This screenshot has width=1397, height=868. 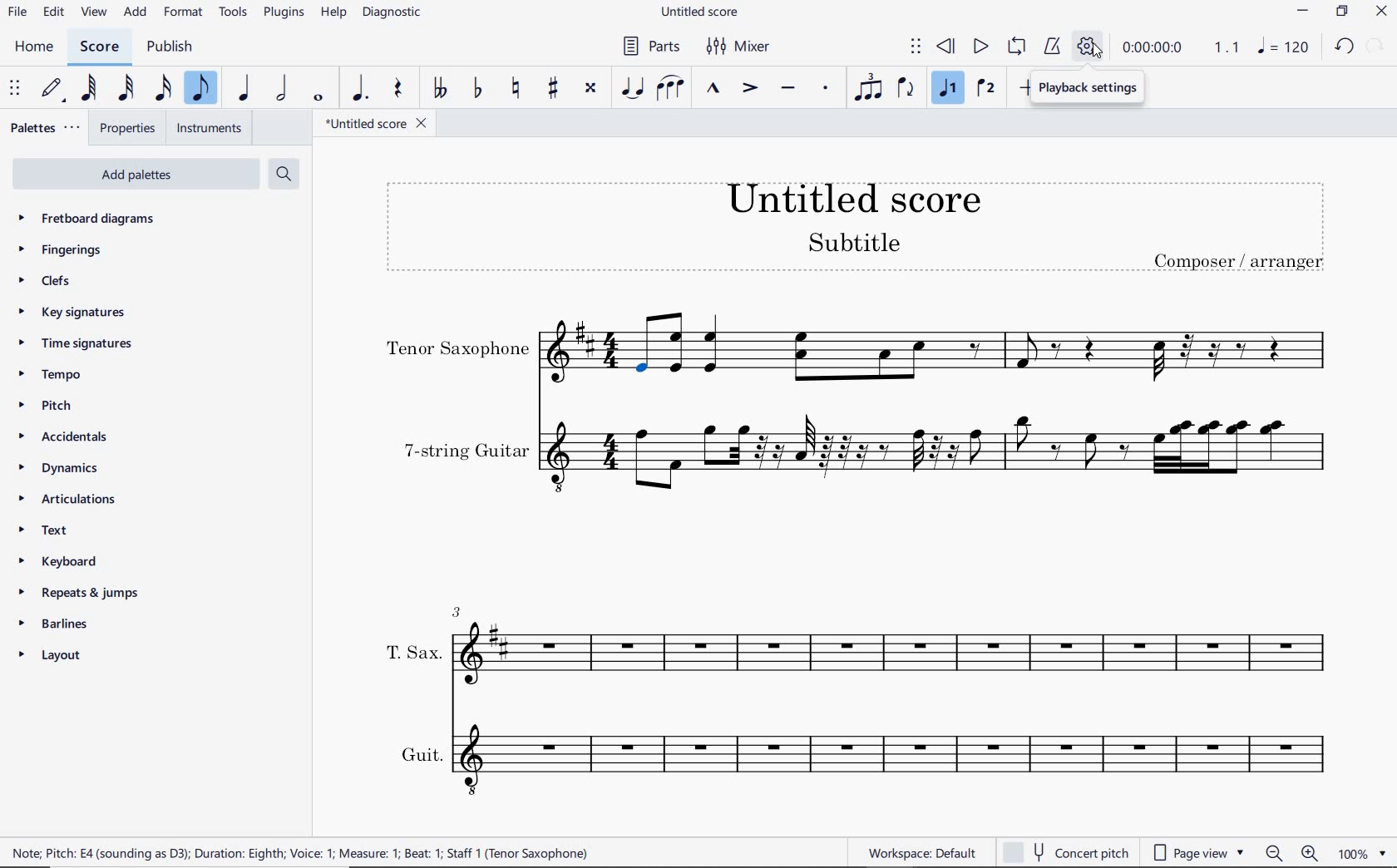 What do you see at coordinates (650, 46) in the screenshot?
I see `PARTS` at bounding box center [650, 46].